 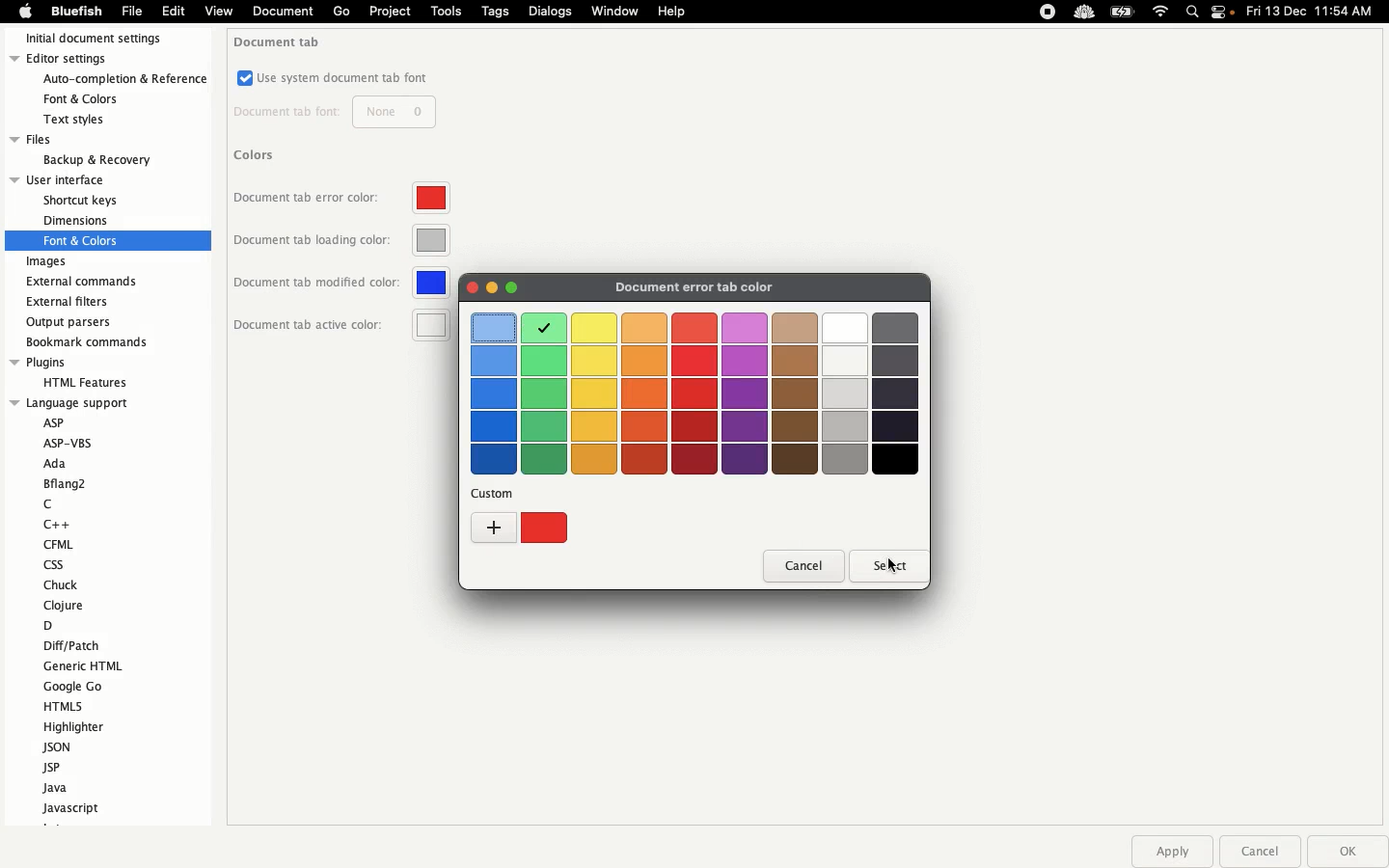 I want to click on fonts and colors, so click(x=107, y=240).